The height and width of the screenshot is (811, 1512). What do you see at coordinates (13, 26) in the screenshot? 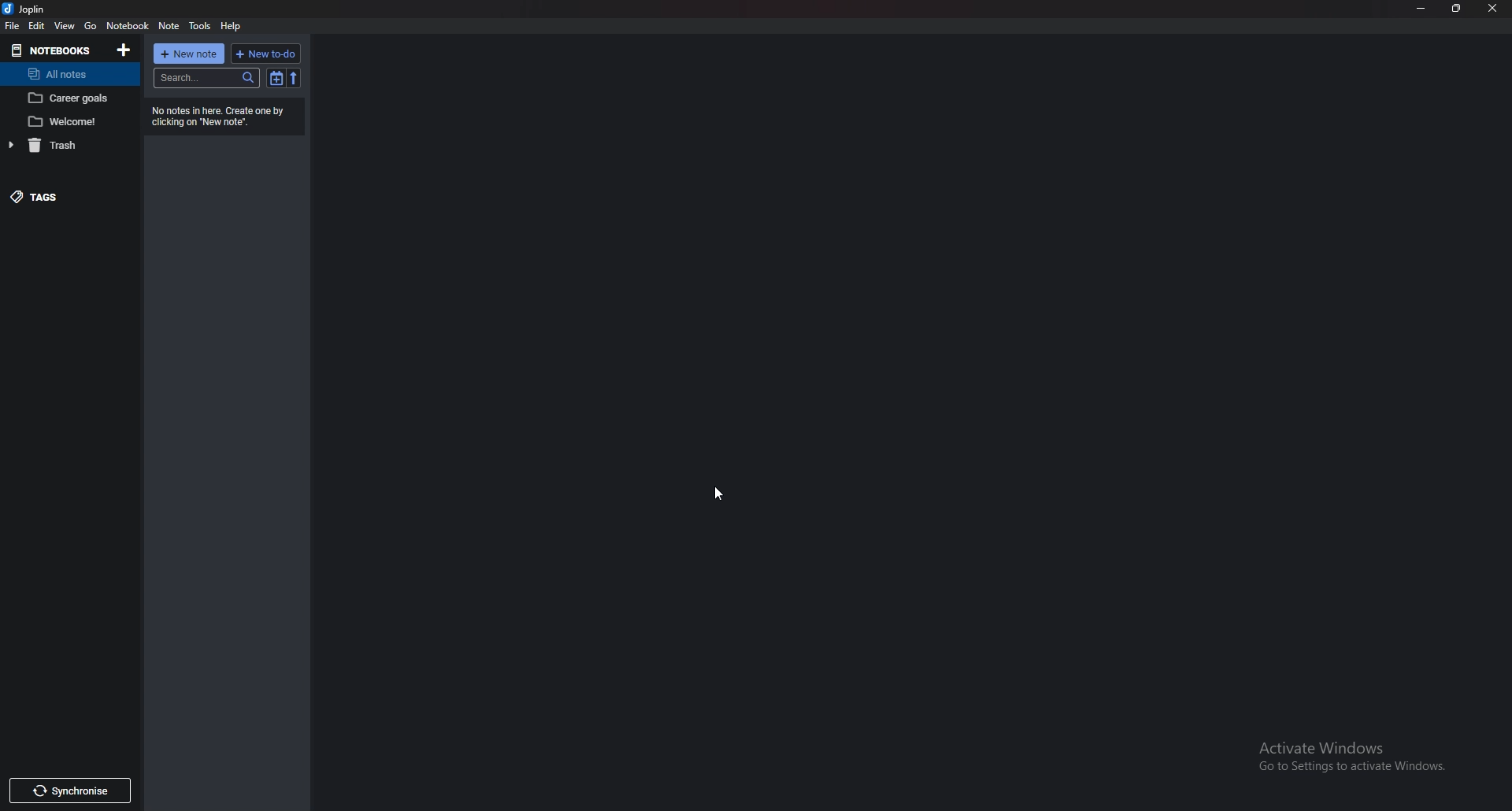
I see `file` at bounding box center [13, 26].